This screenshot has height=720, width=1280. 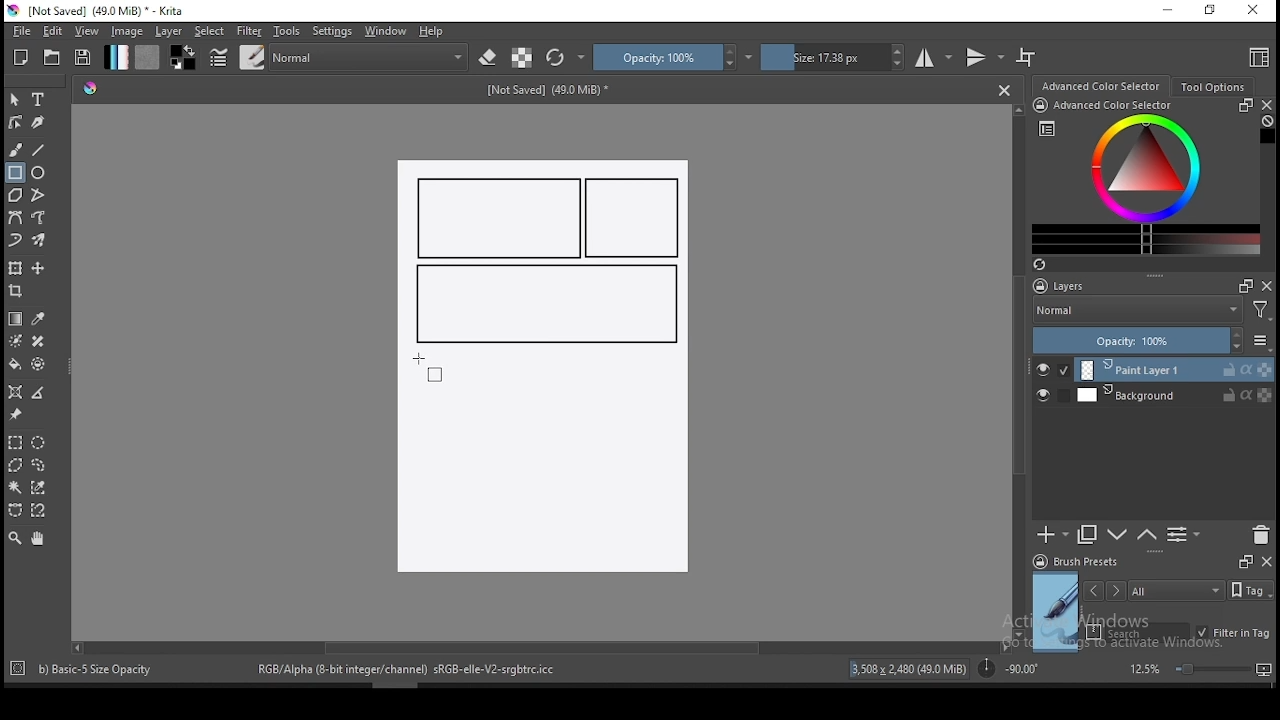 I want to click on layer visibility on/off, so click(x=1048, y=397).